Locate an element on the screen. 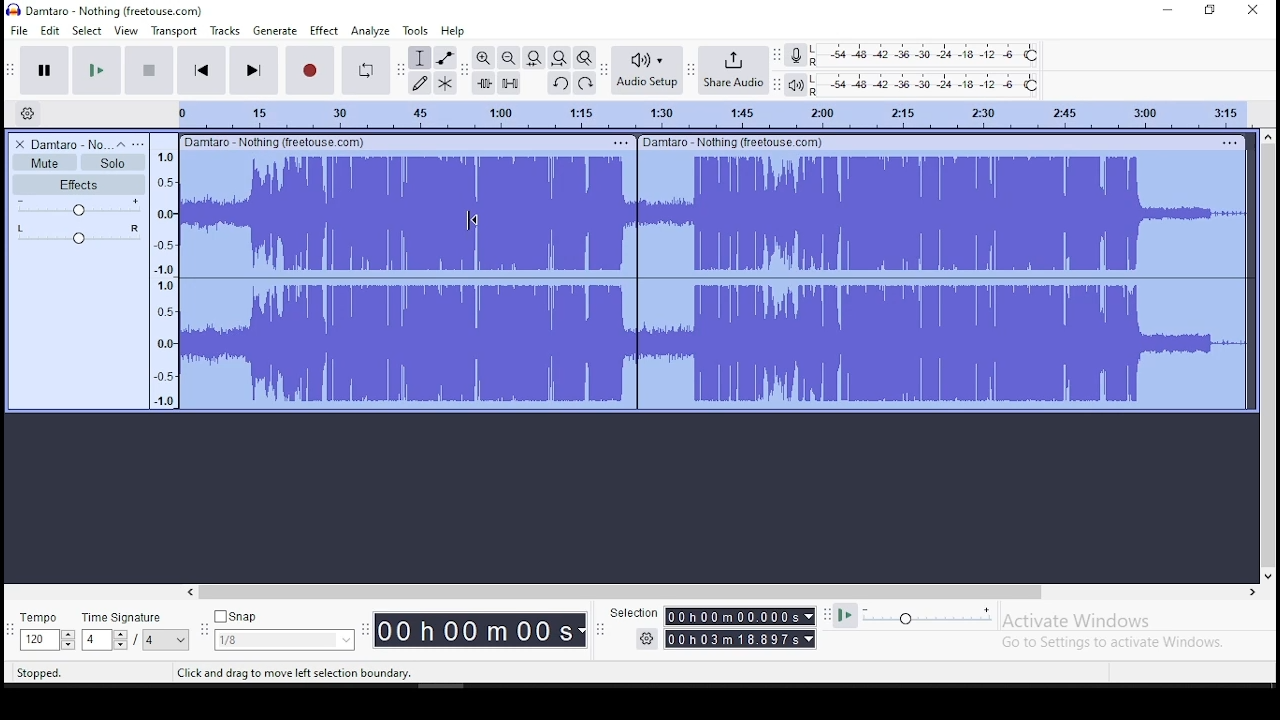  audio setup is located at coordinates (646, 71).